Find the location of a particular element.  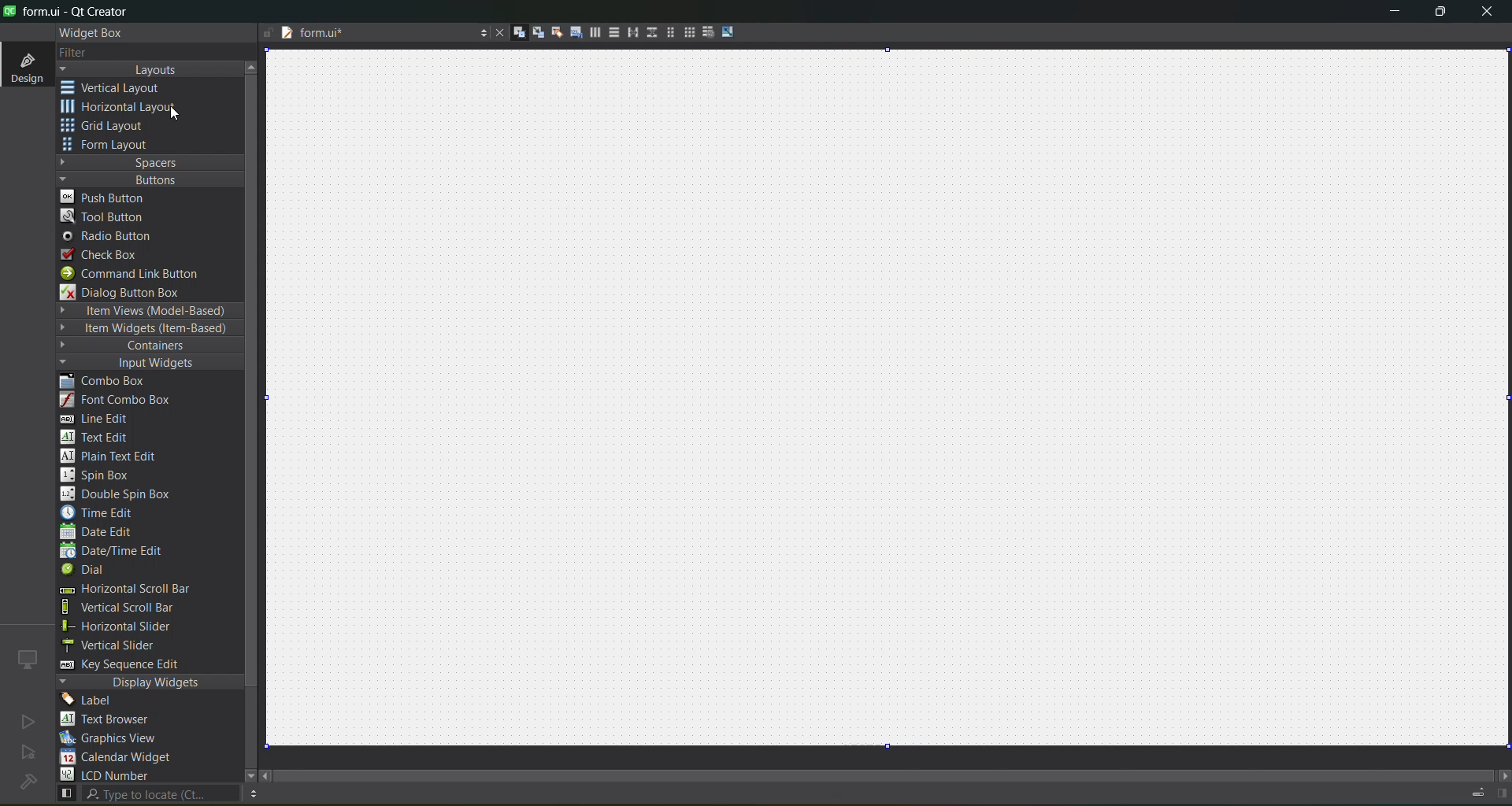

check box is located at coordinates (107, 255).